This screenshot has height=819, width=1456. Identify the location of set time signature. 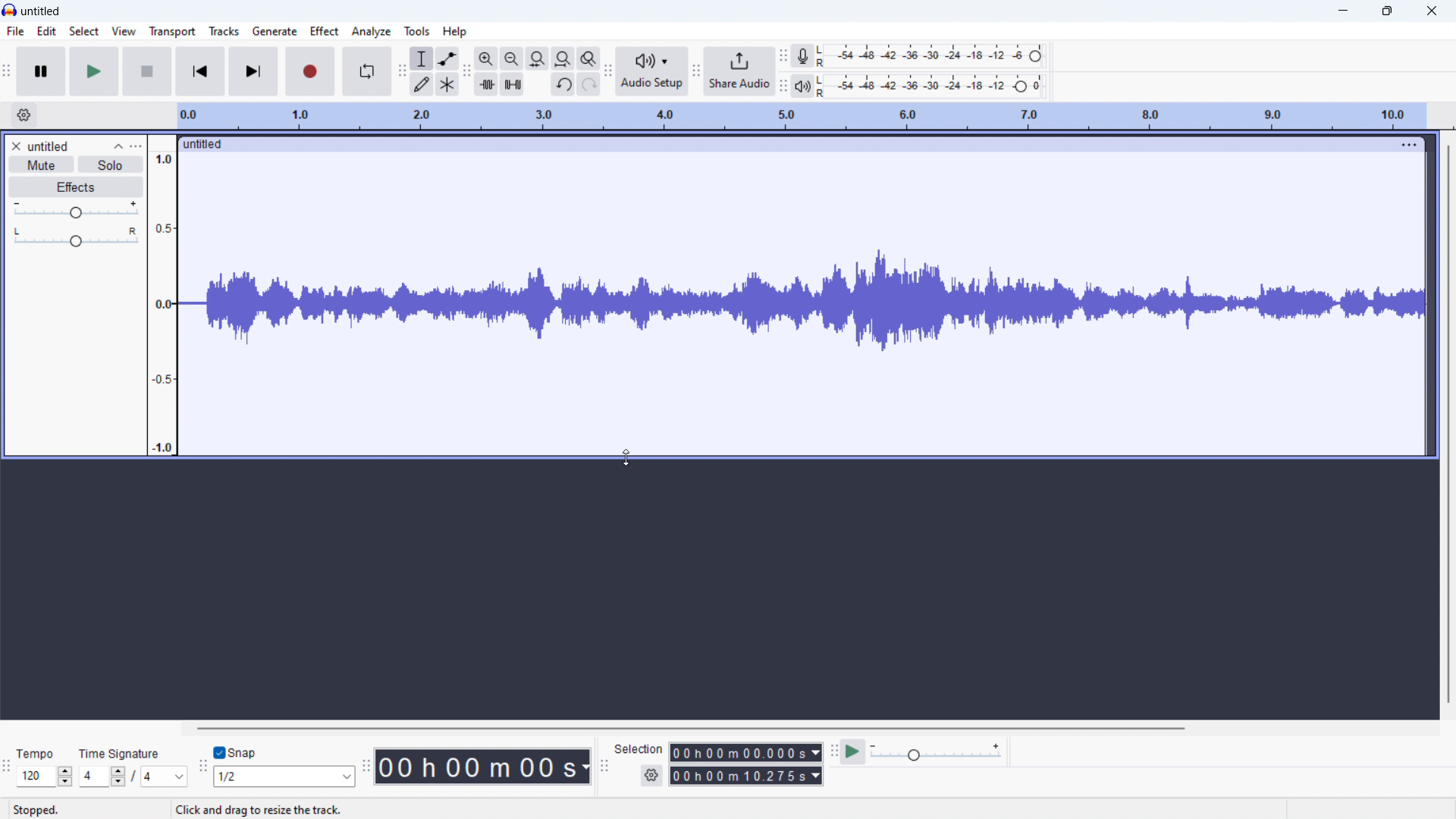
(132, 777).